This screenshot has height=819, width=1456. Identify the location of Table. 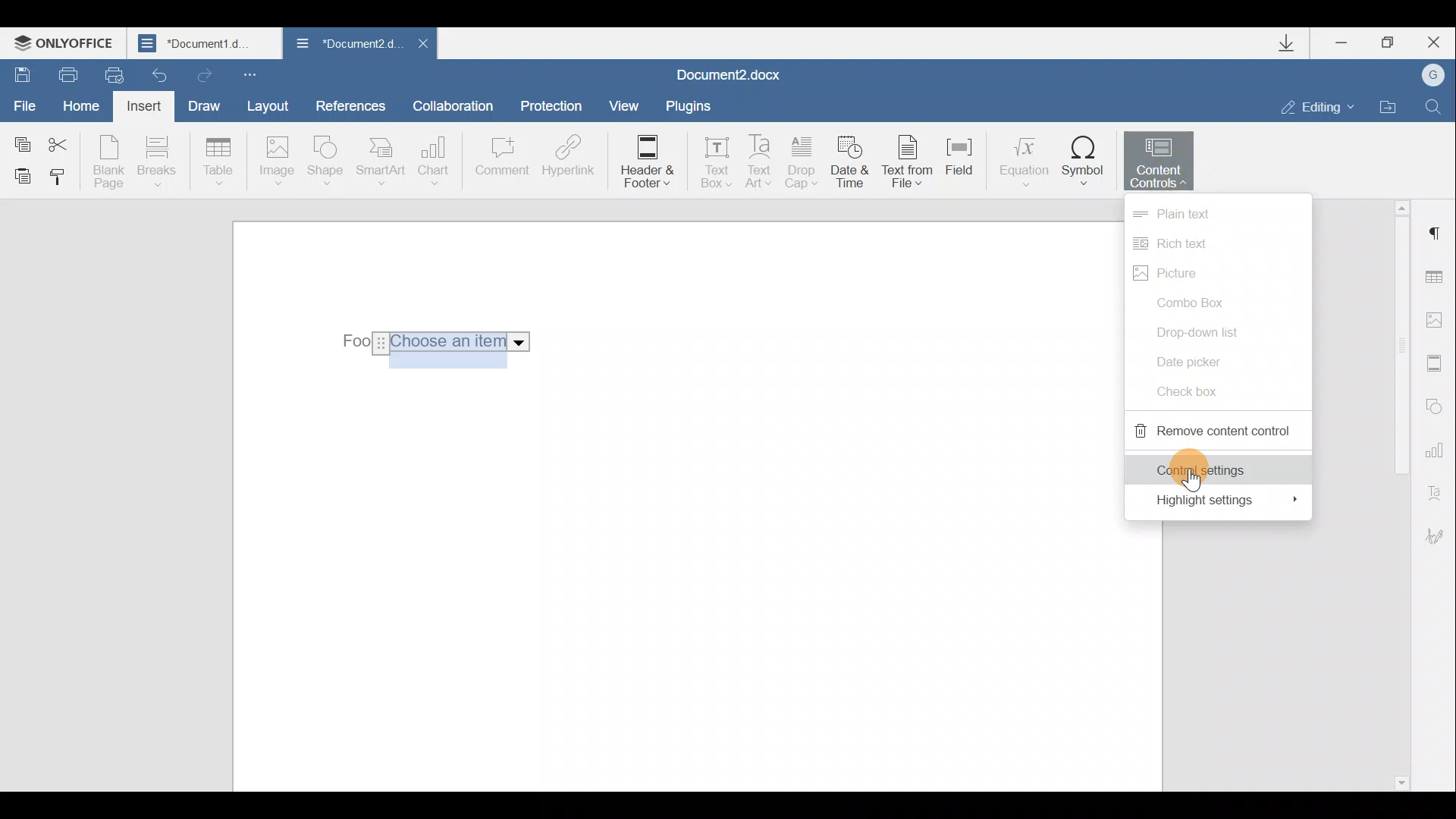
(219, 163).